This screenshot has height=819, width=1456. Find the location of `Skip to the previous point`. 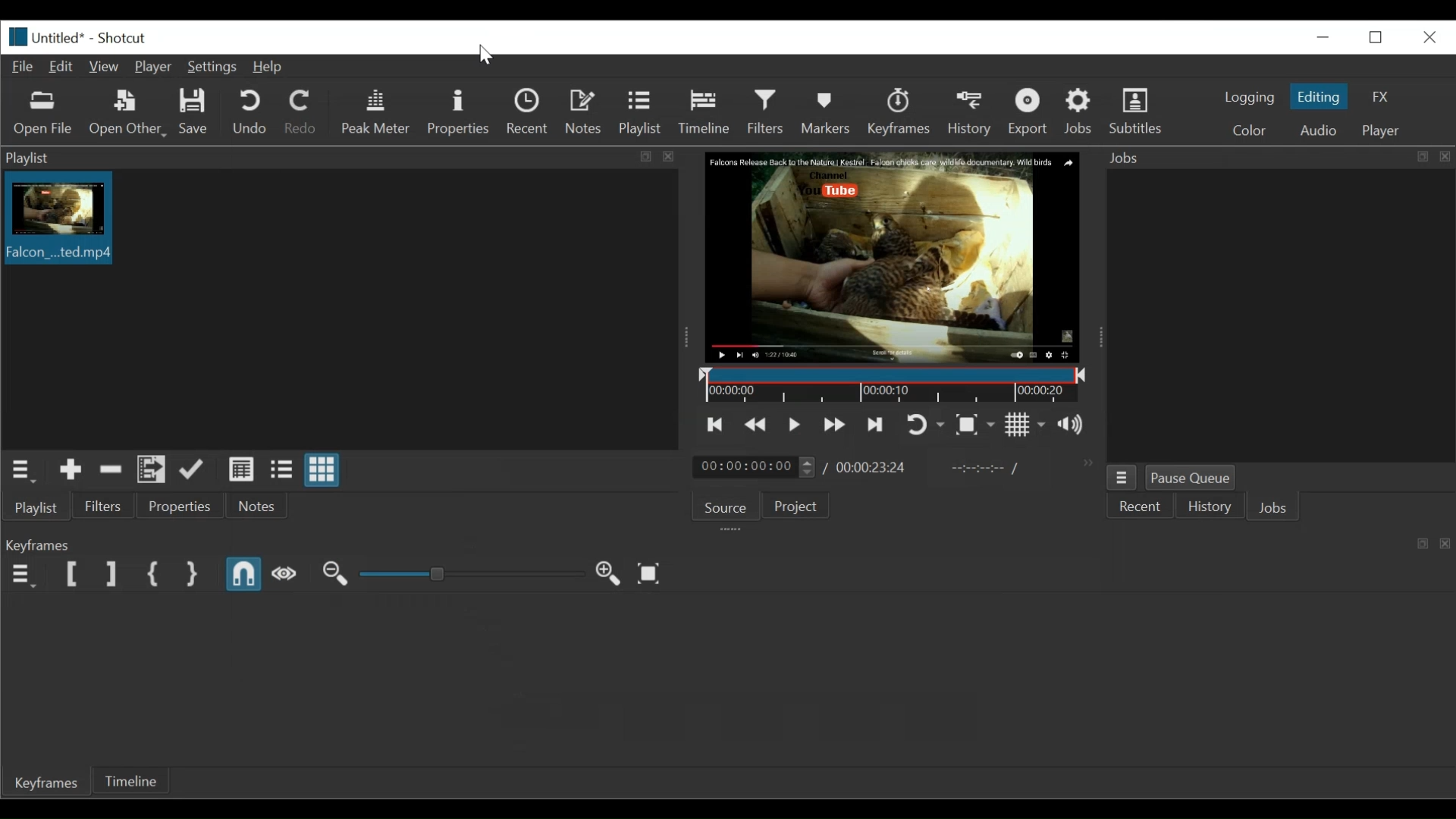

Skip to the previous point is located at coordinates (717, 425).